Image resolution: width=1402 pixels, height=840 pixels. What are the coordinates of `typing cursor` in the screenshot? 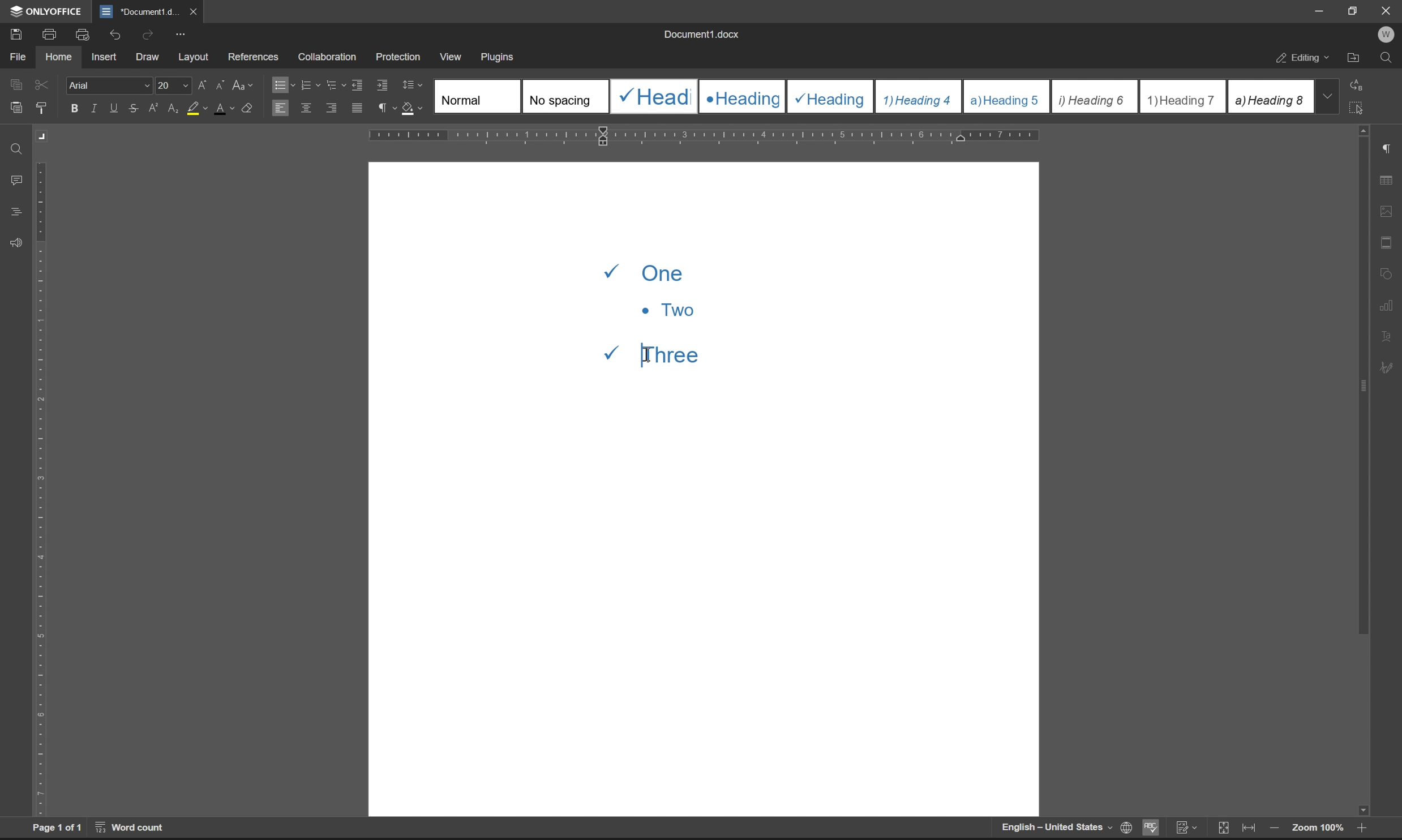 It's located at (648, 353).